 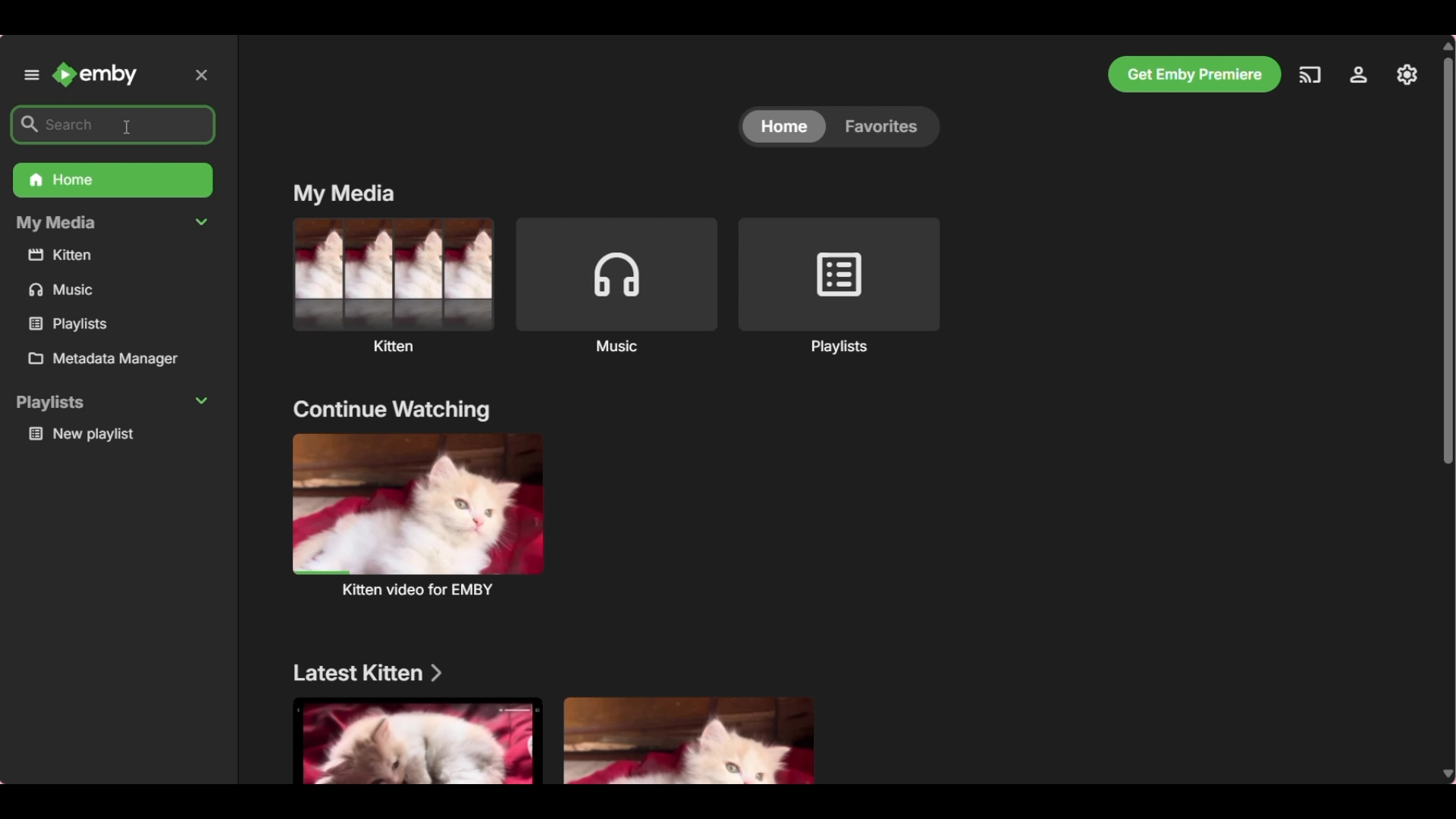 I want to click on home, so click(x=781, y=126).